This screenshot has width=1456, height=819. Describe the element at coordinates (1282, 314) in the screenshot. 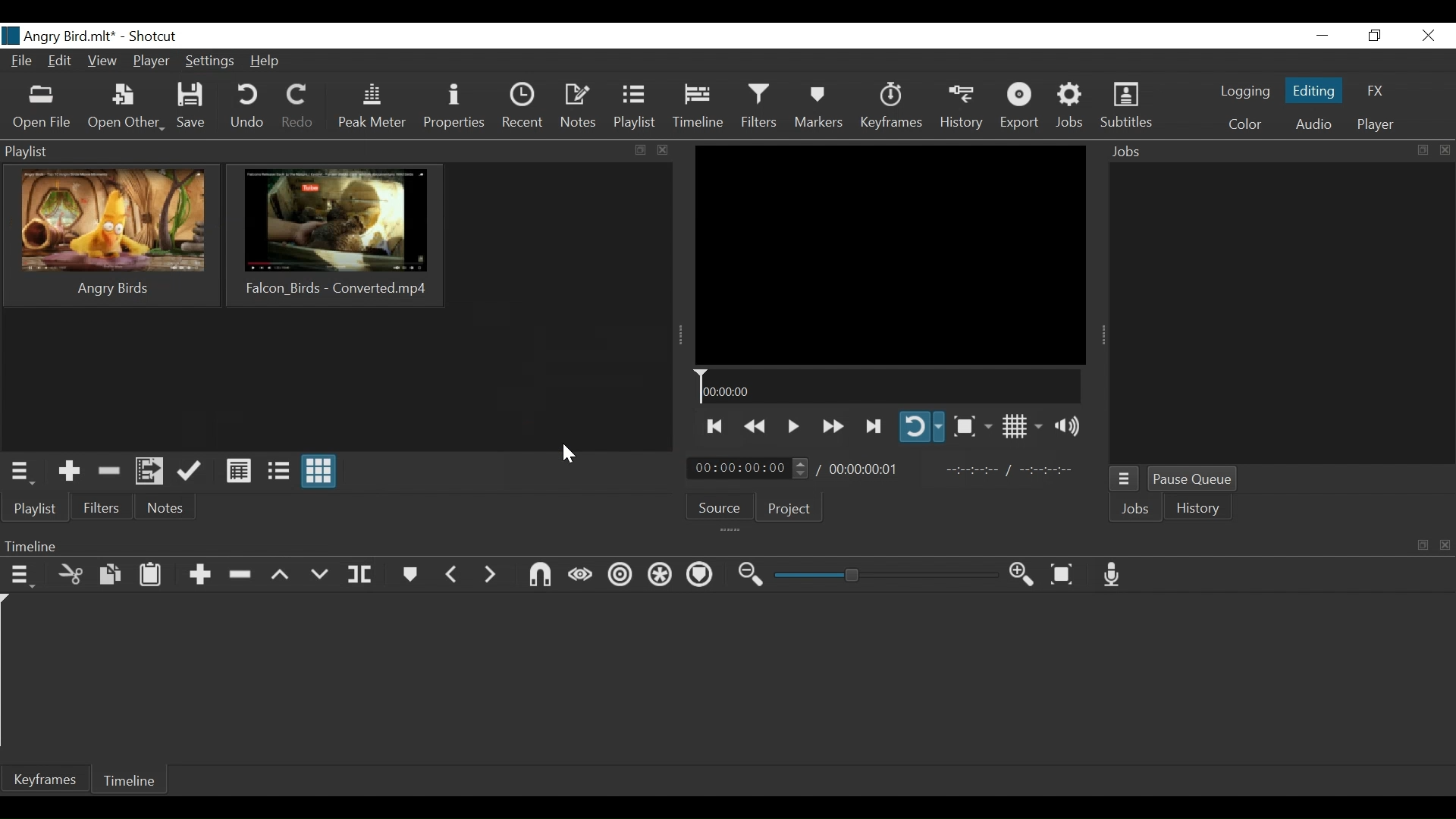

I see `Jobs Panel` at that location.